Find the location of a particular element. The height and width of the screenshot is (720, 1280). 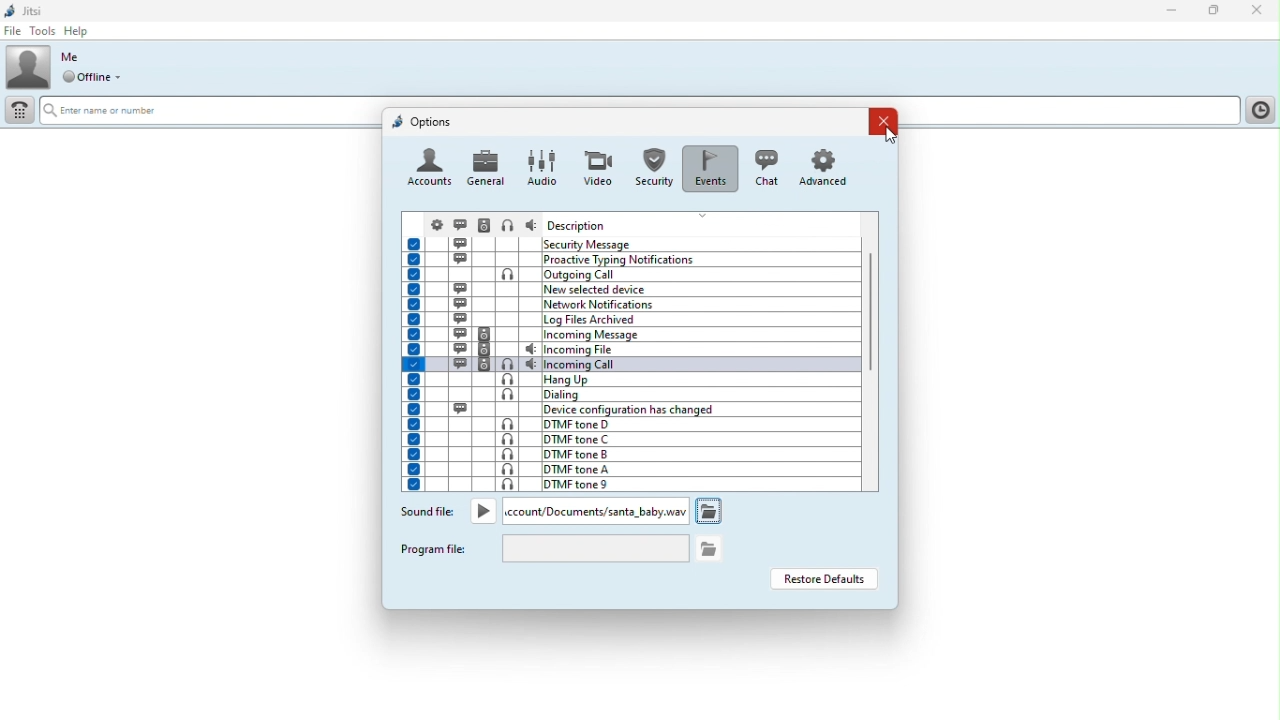

events is located at coordinates (708, 170).